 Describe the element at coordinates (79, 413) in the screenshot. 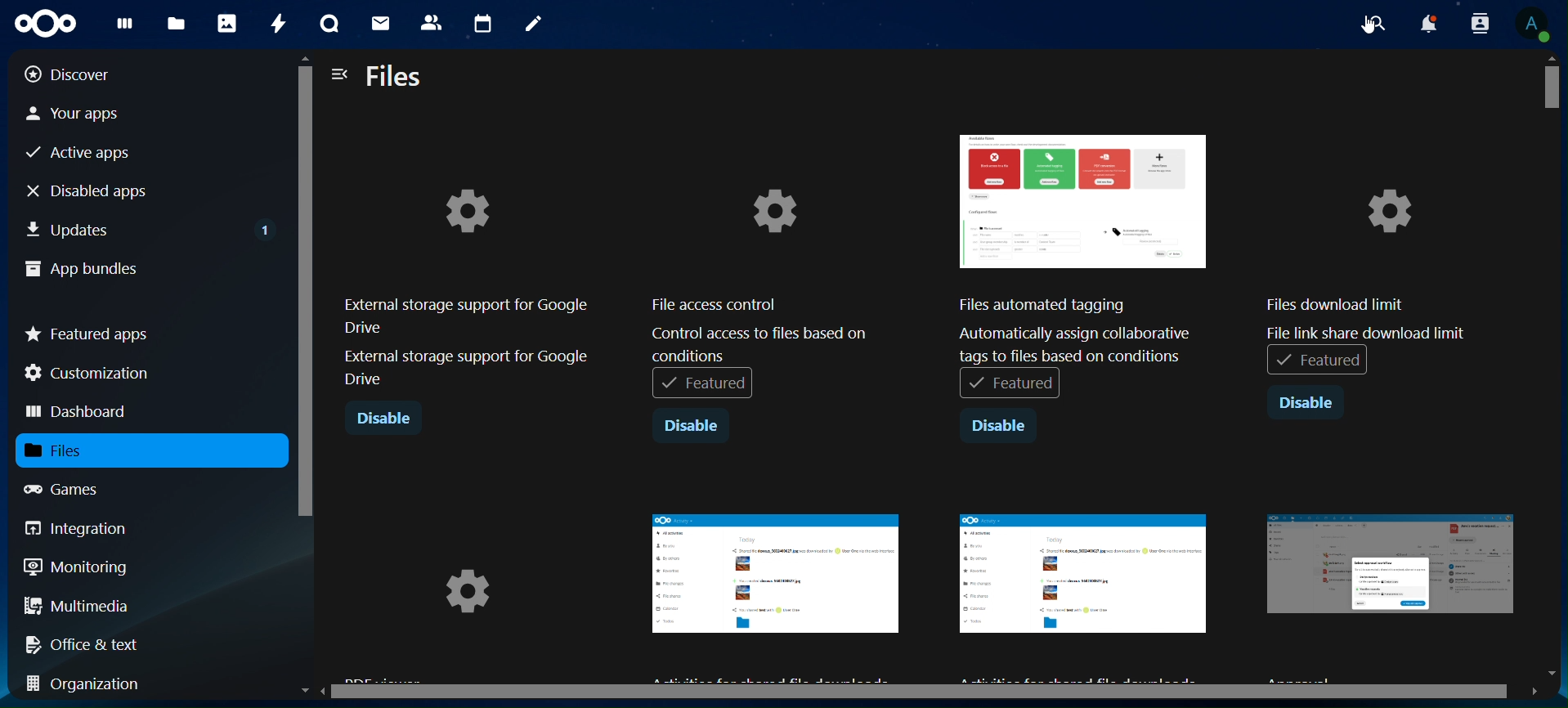

I see `dashboard` at that location.